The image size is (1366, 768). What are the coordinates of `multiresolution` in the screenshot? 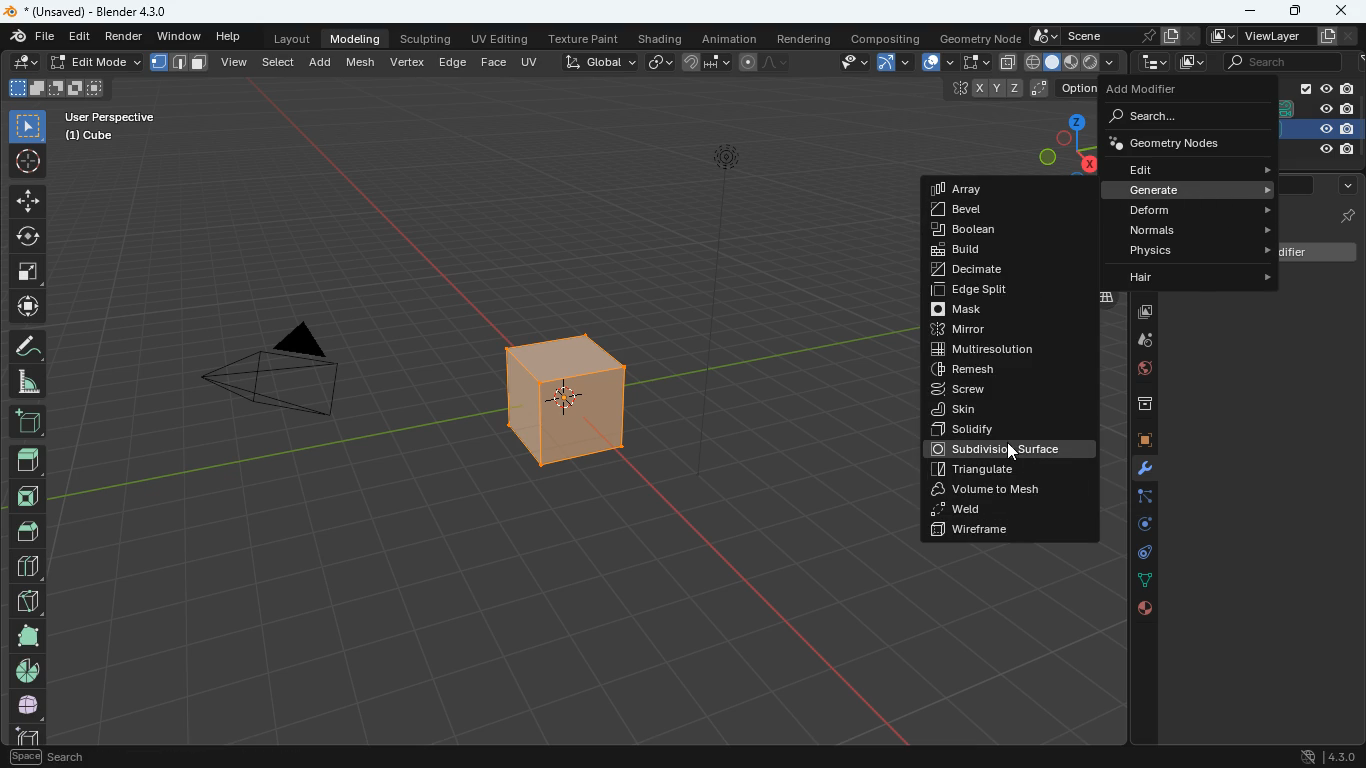 It's located at (999, 351).